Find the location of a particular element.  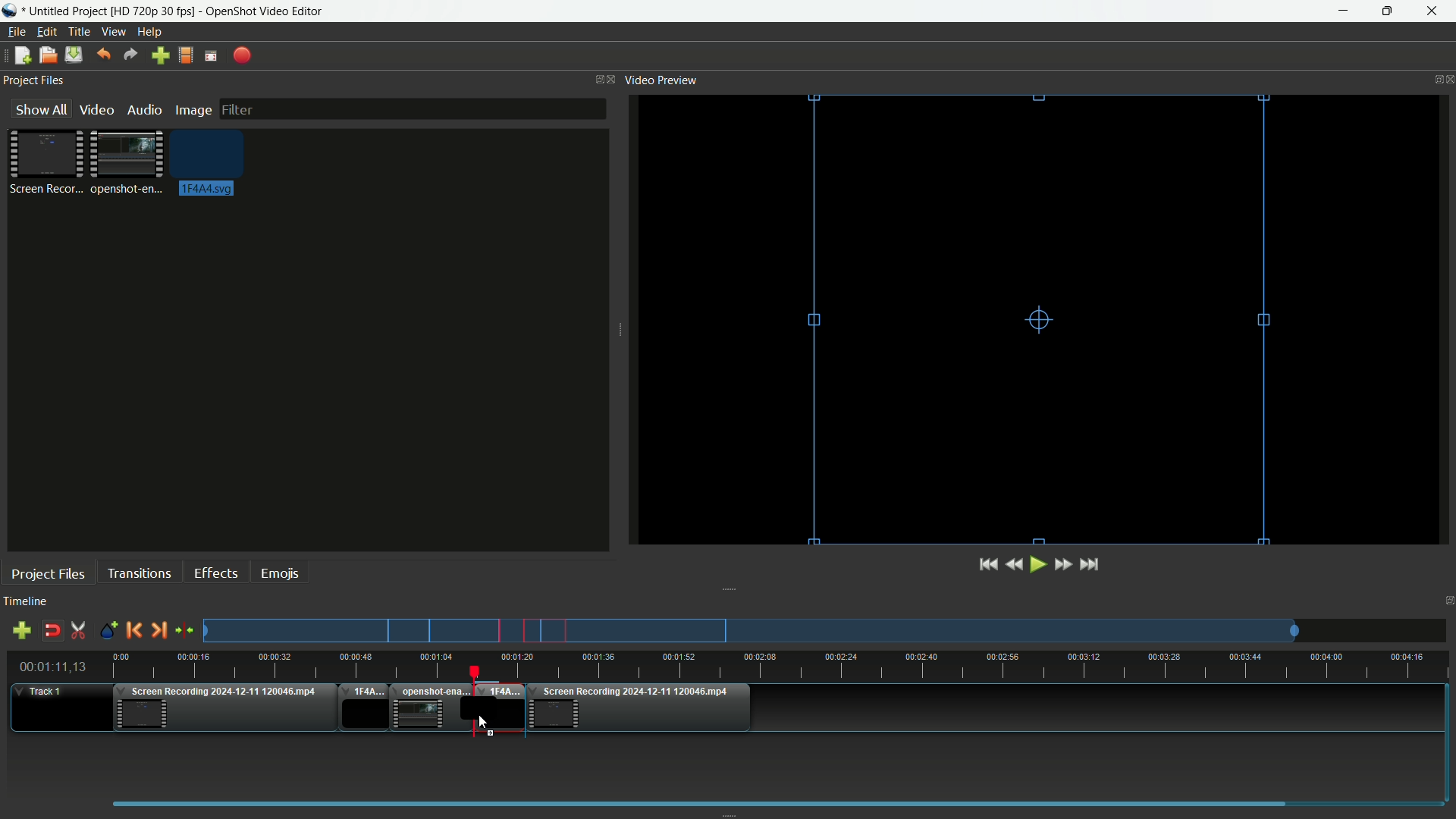

Current time is located at coordinates (57, 667).